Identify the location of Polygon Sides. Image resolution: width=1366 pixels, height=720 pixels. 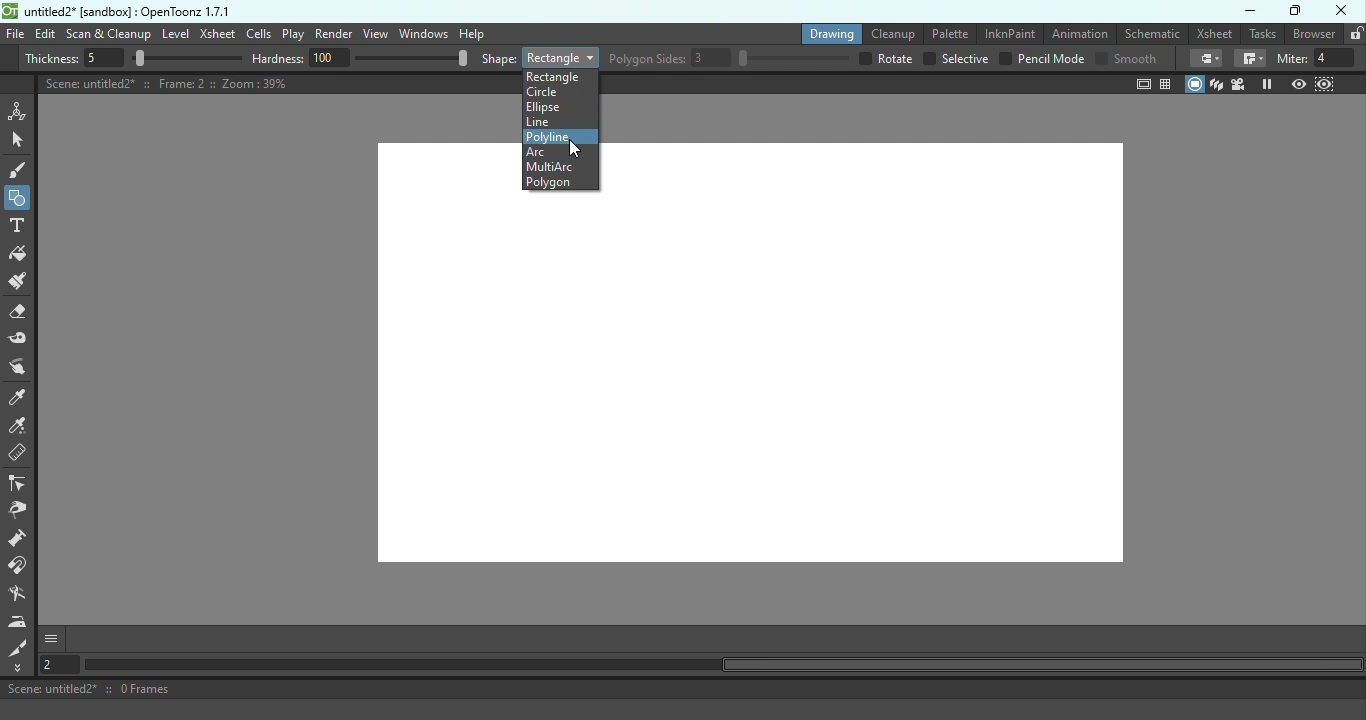
(730, 59).